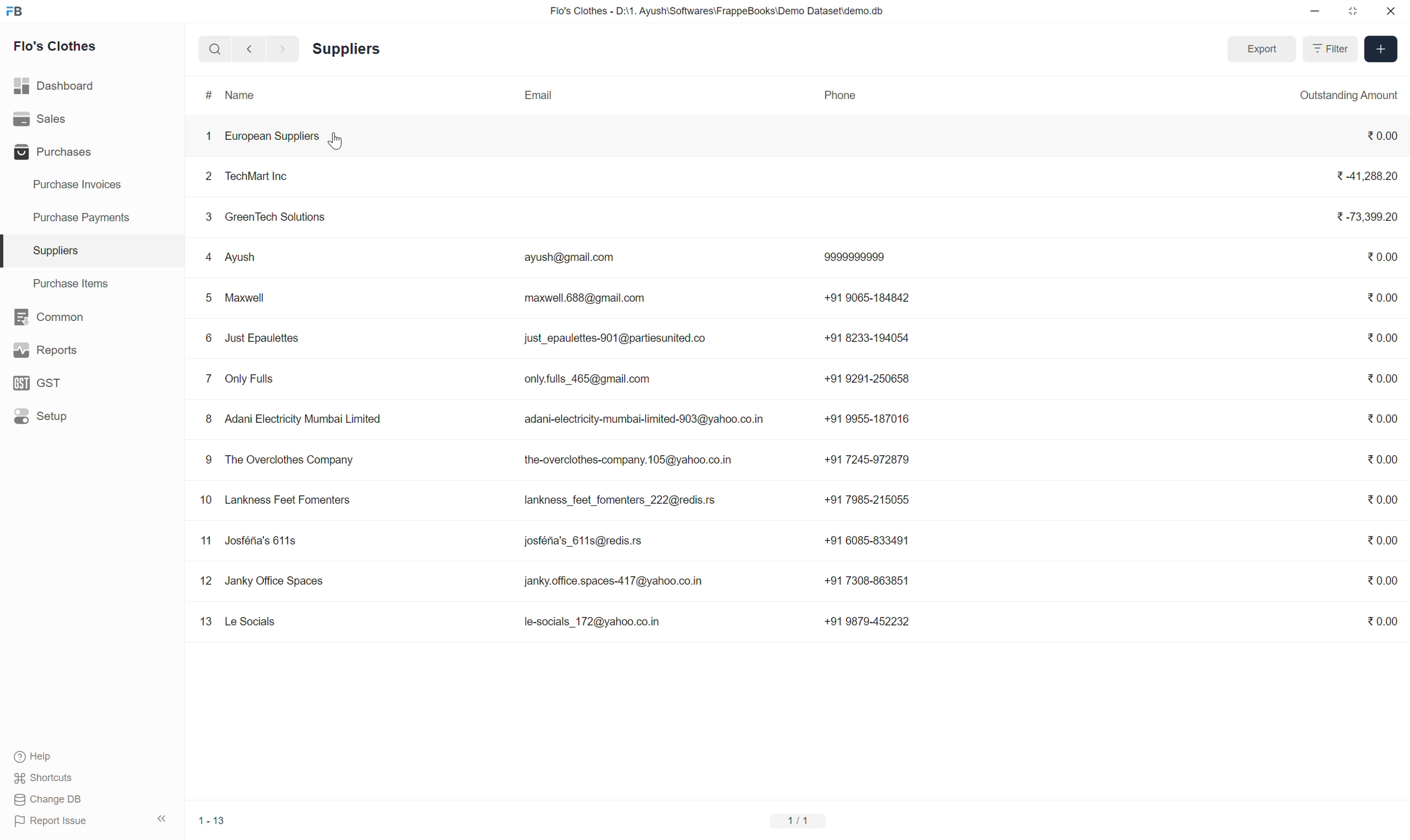 This screenshot has width=1410, height=840. I want to click on 3, so click(201, 217).